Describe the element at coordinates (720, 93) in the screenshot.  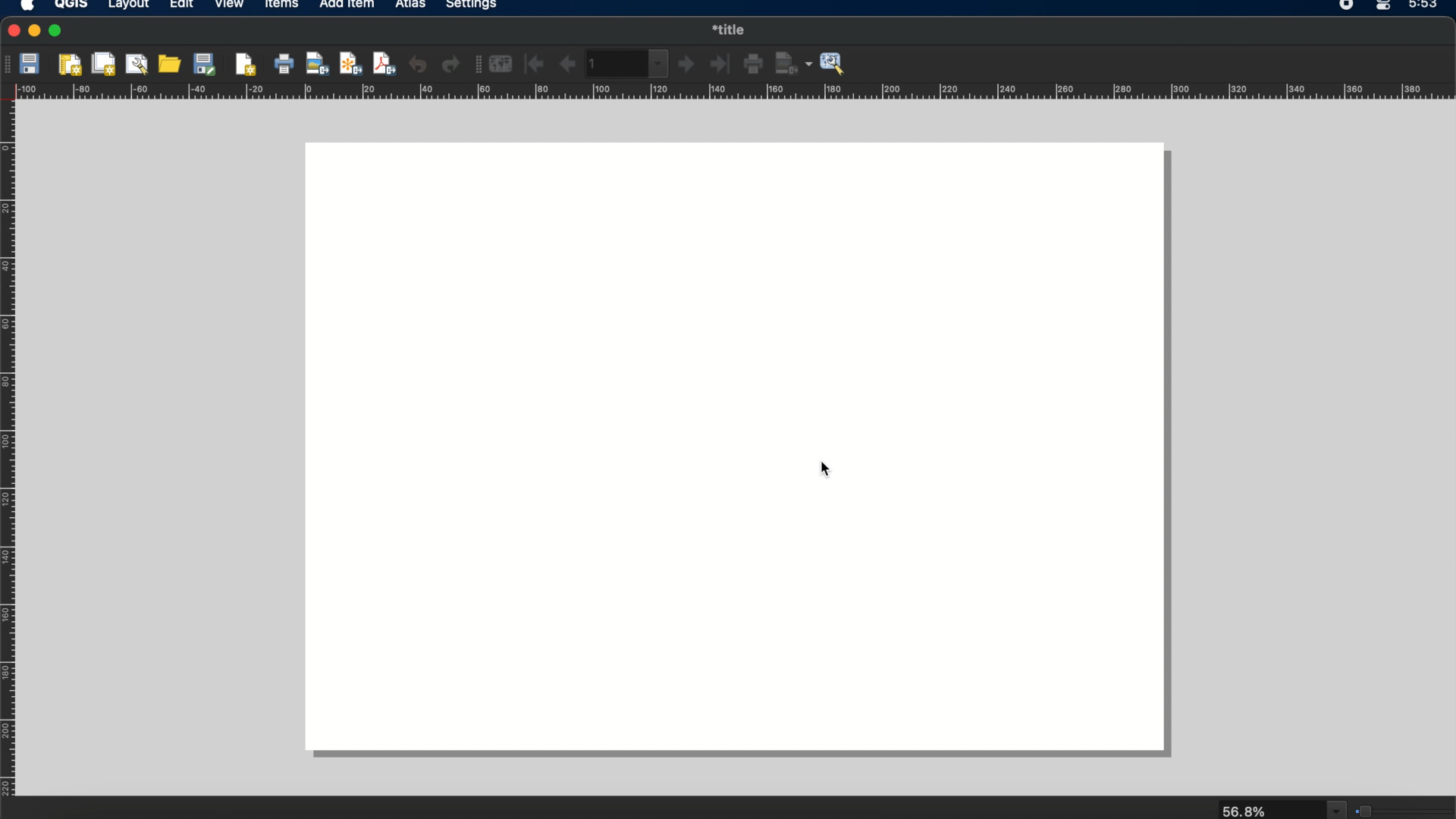
I see `margin` at that location.